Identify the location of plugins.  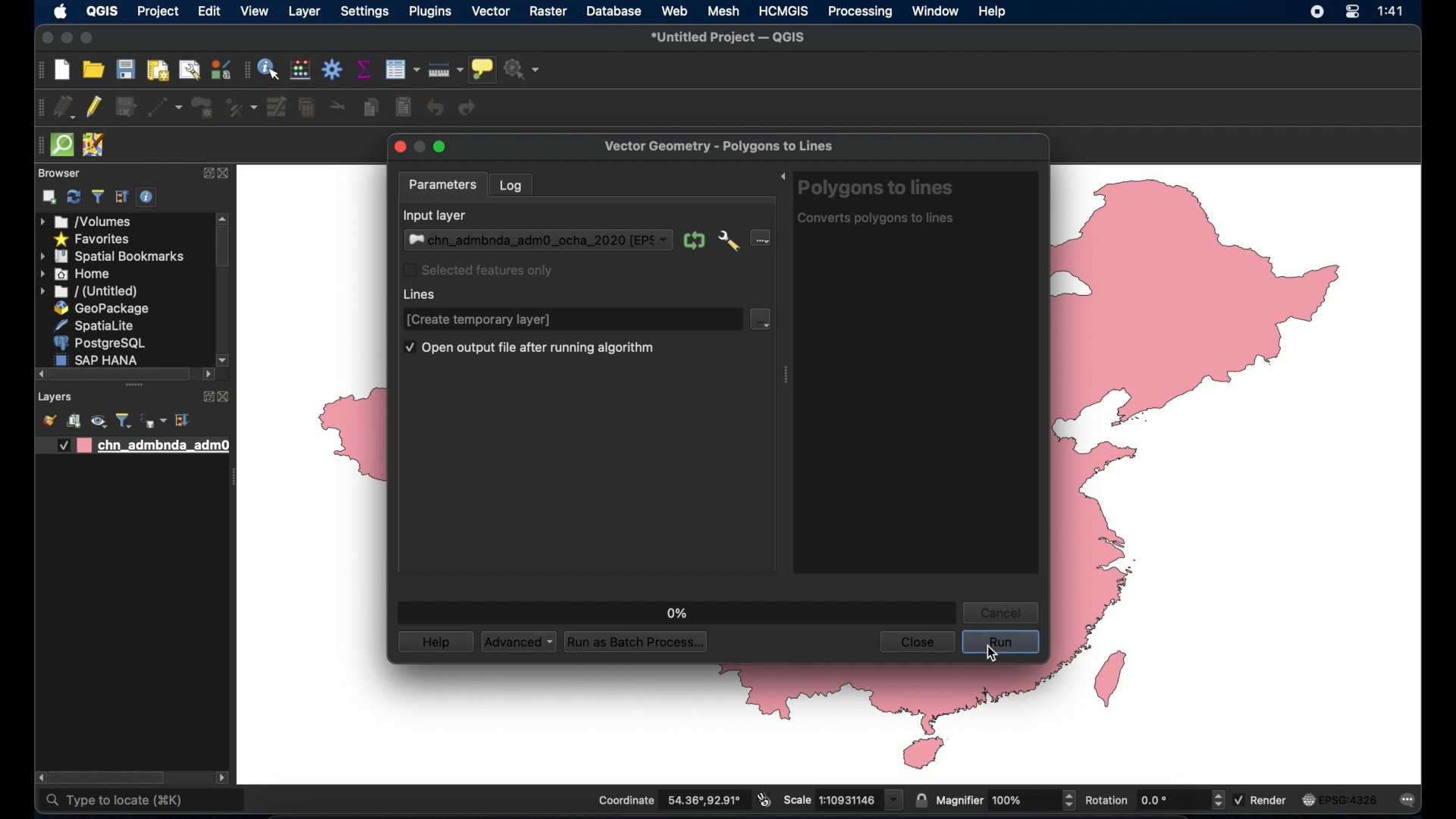
(428, 11).